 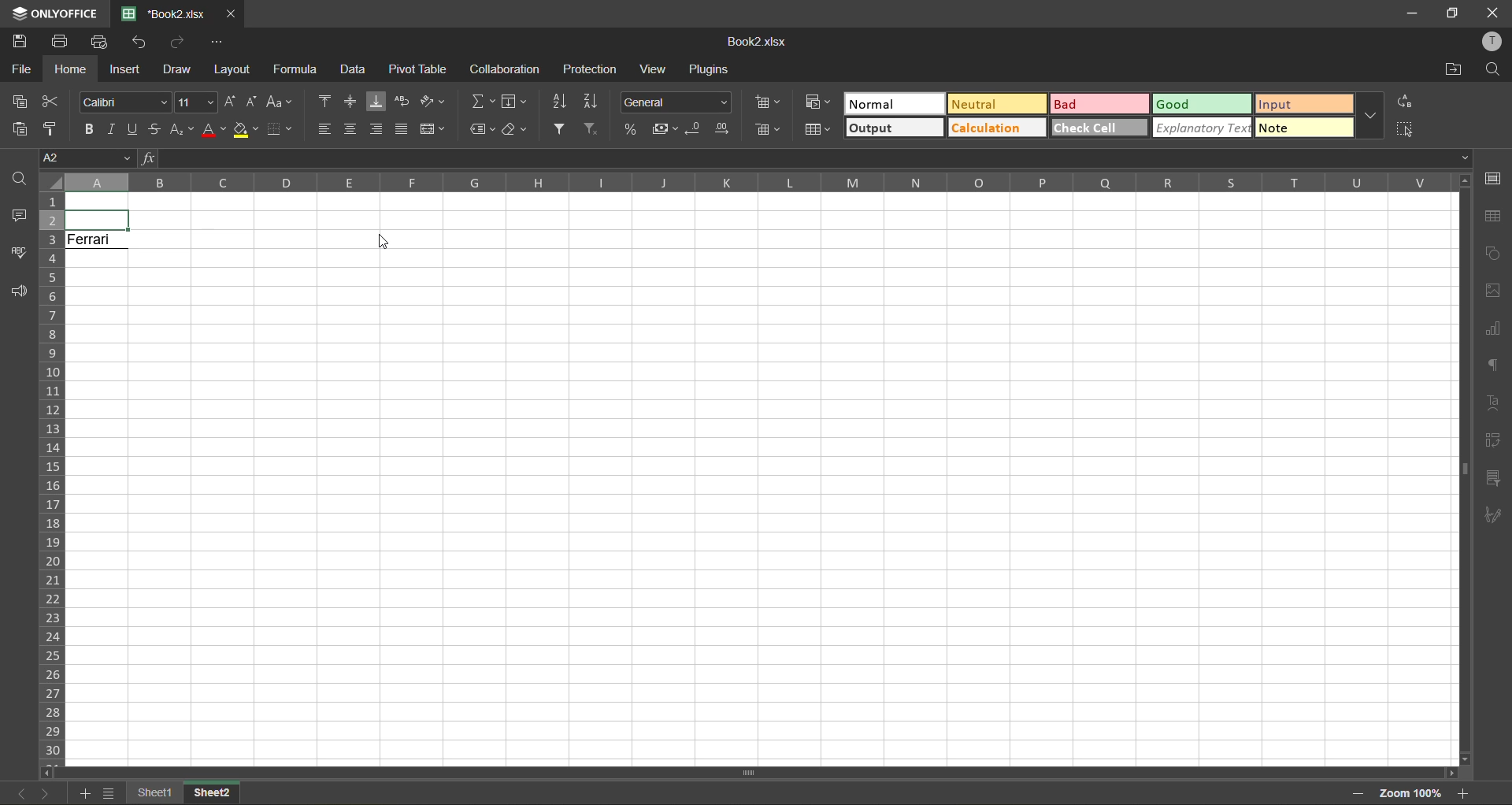 I want to click on quick print, so click(x=101, y=42).